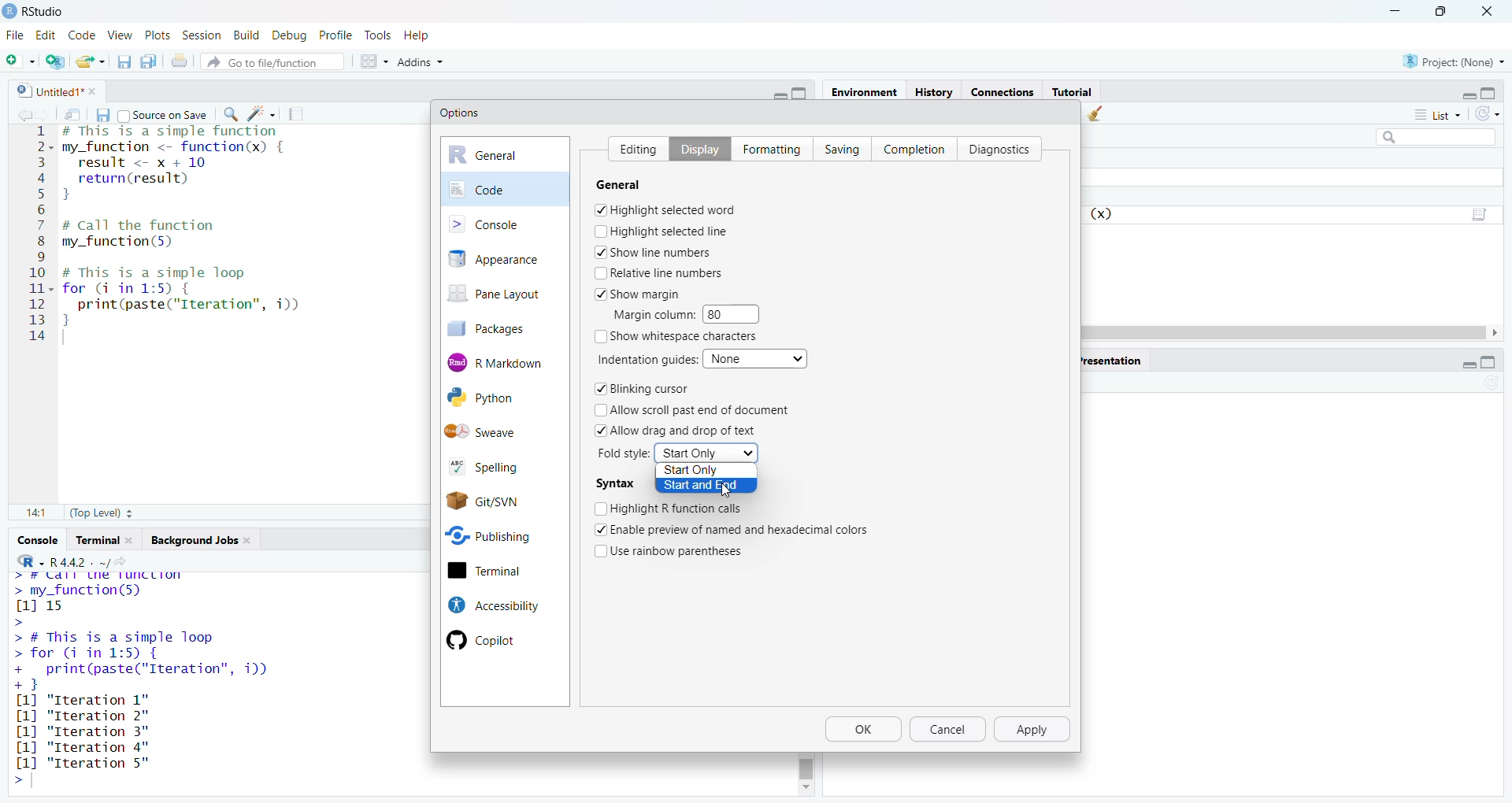  Describe the element at coordinates (725, 491) in the screenshot. I see `cursor` at that location.